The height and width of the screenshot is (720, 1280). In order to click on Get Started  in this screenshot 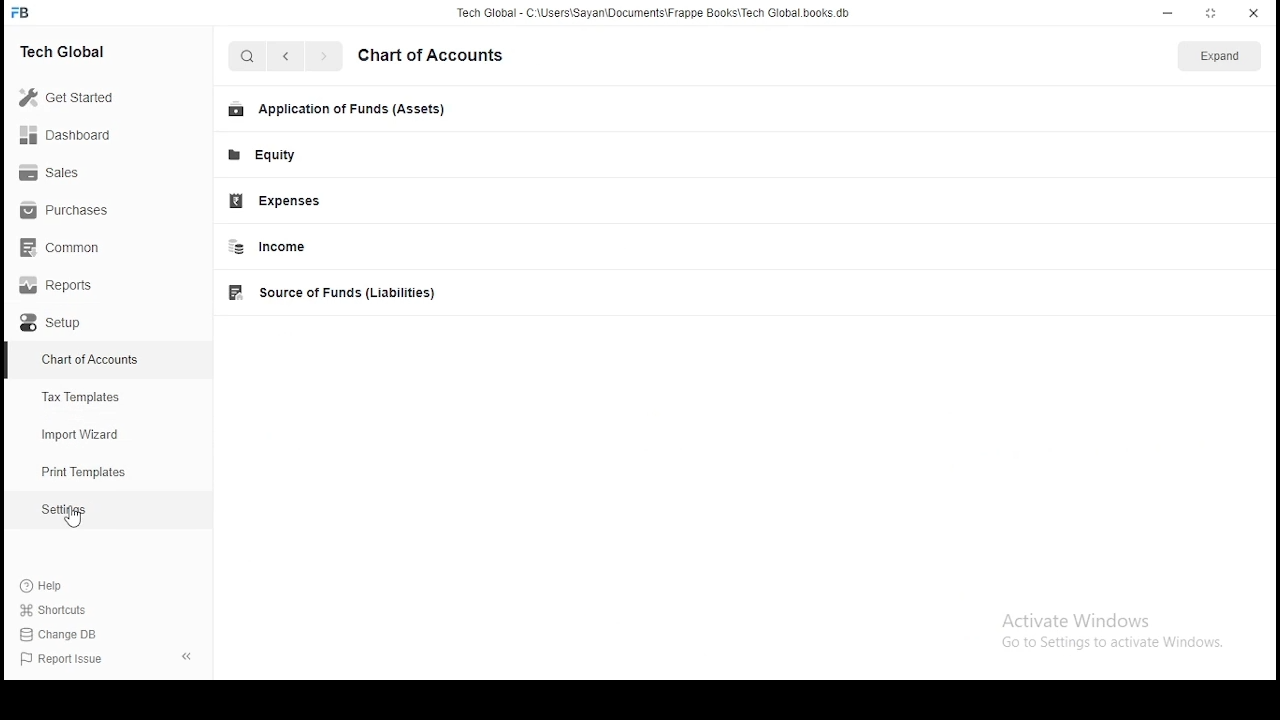, I will do `click(91, 97)`.